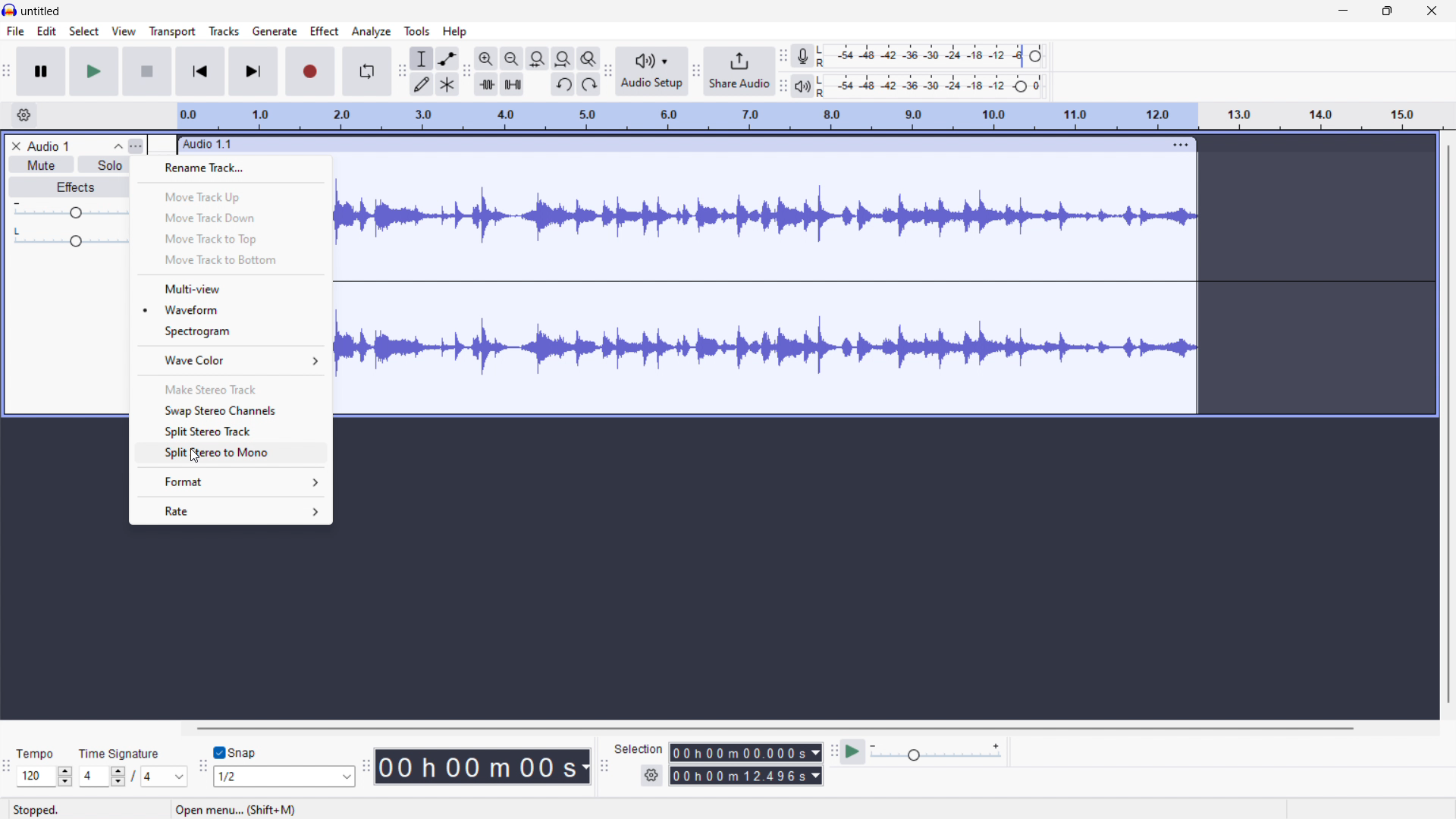  I want to click on minimize, so click(1342, 11).